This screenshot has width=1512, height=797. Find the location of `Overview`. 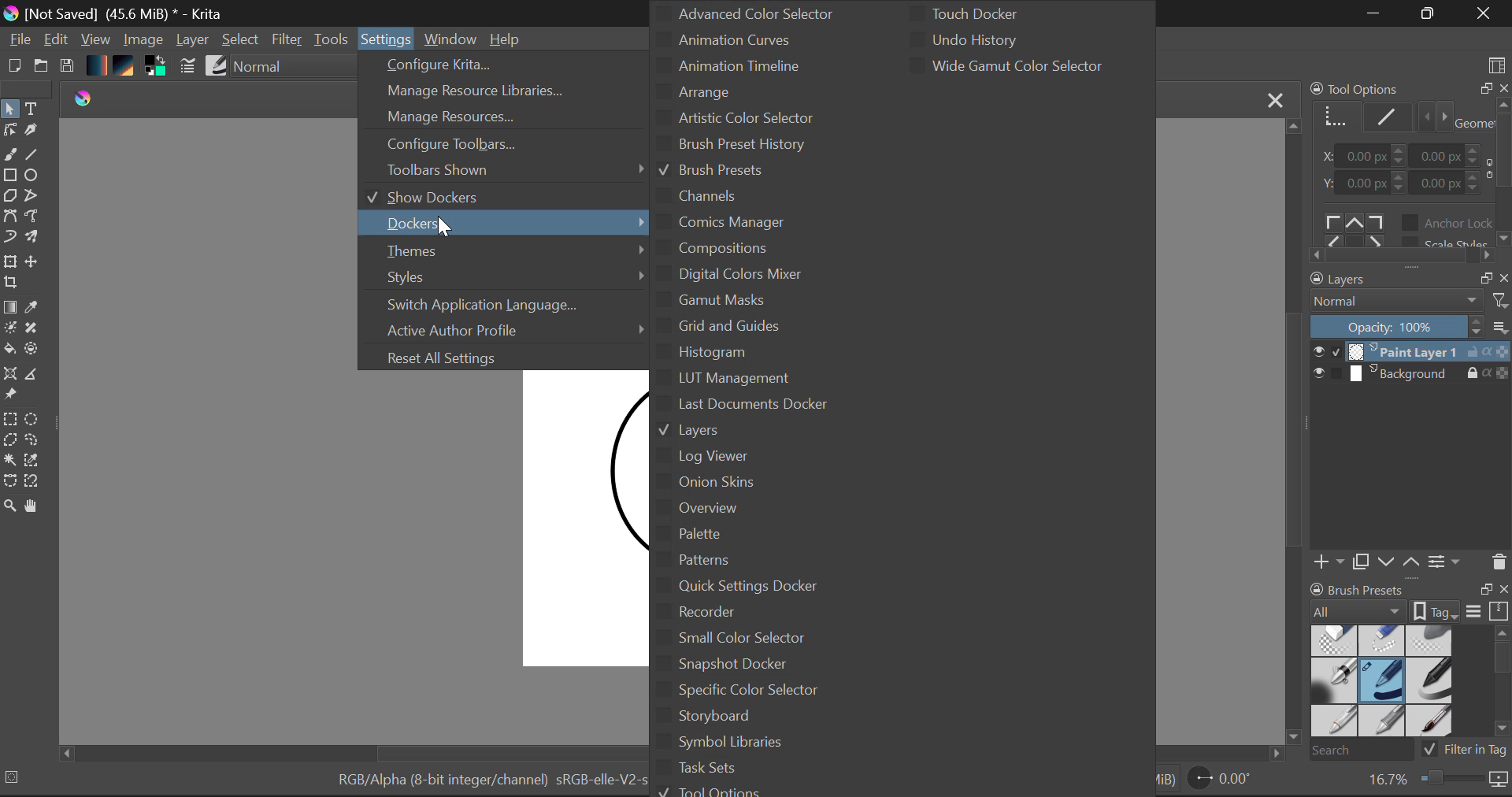

Overview is located at coordinates (809, 510).